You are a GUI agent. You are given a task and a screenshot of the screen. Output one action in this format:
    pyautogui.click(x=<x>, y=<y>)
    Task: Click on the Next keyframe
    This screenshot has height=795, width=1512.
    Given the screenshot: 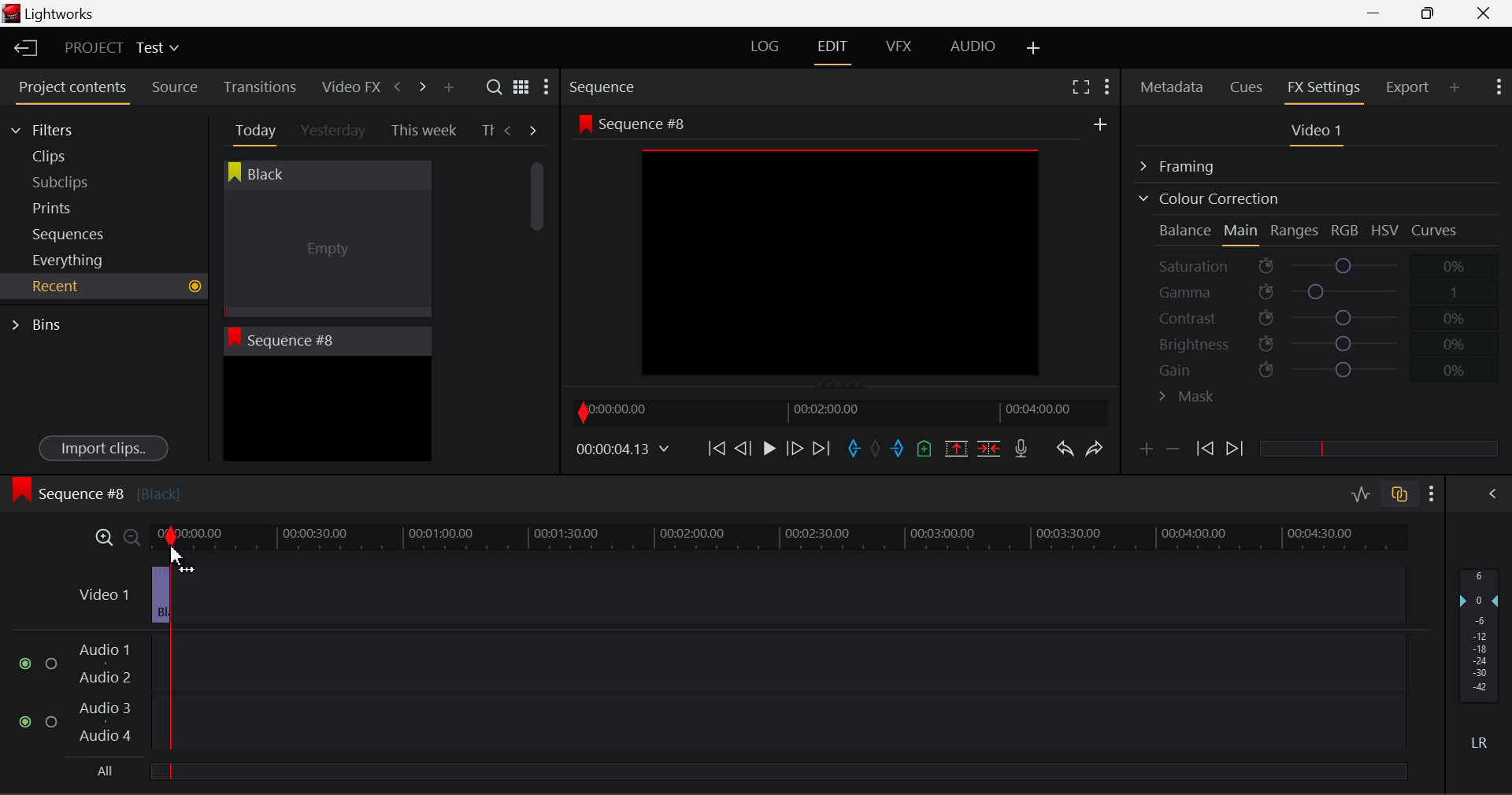 What is the action you would take?
    pyautogui.click(x=1236, y=449)
    